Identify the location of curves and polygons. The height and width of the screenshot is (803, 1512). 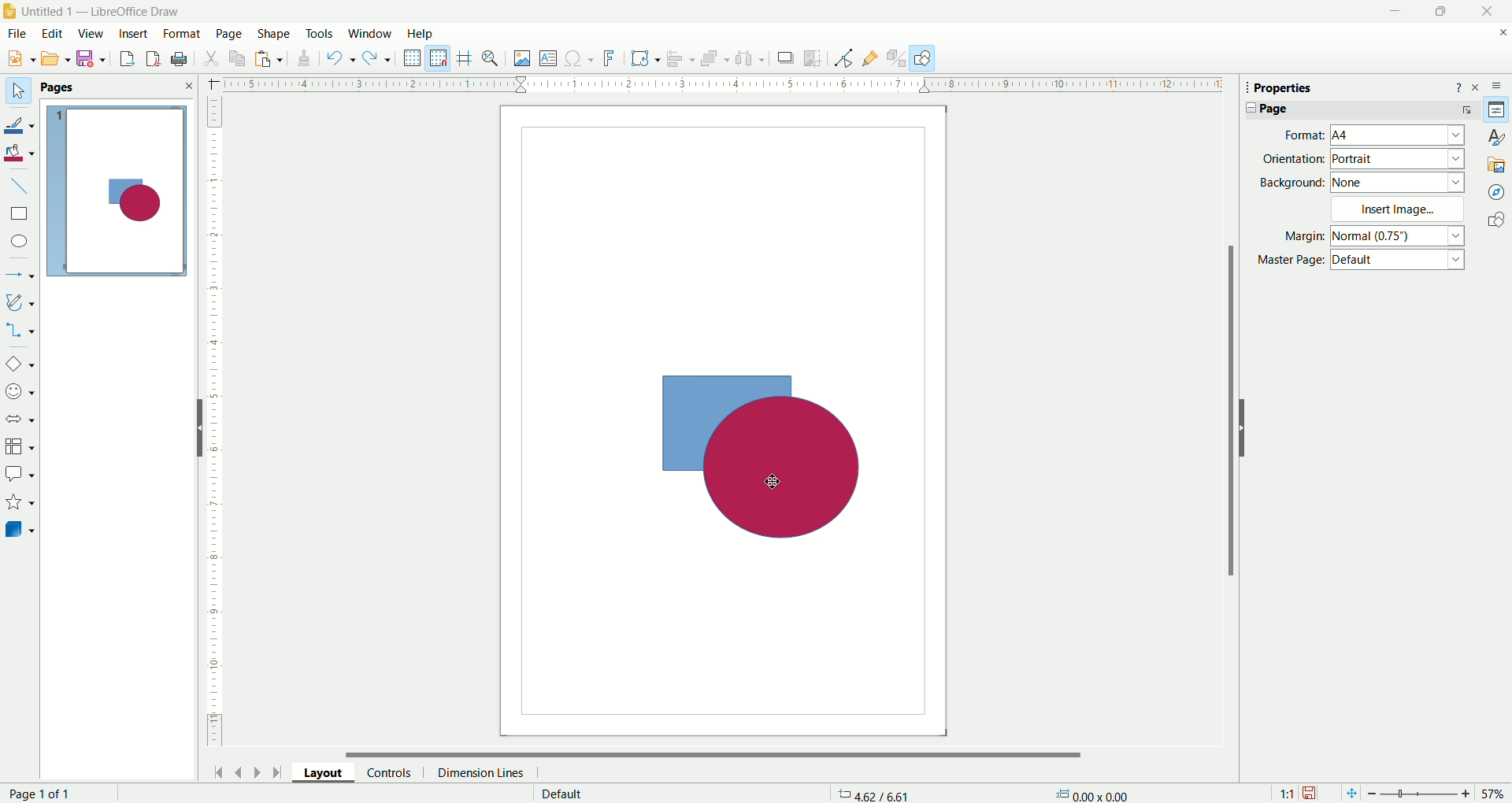
(20, 302).